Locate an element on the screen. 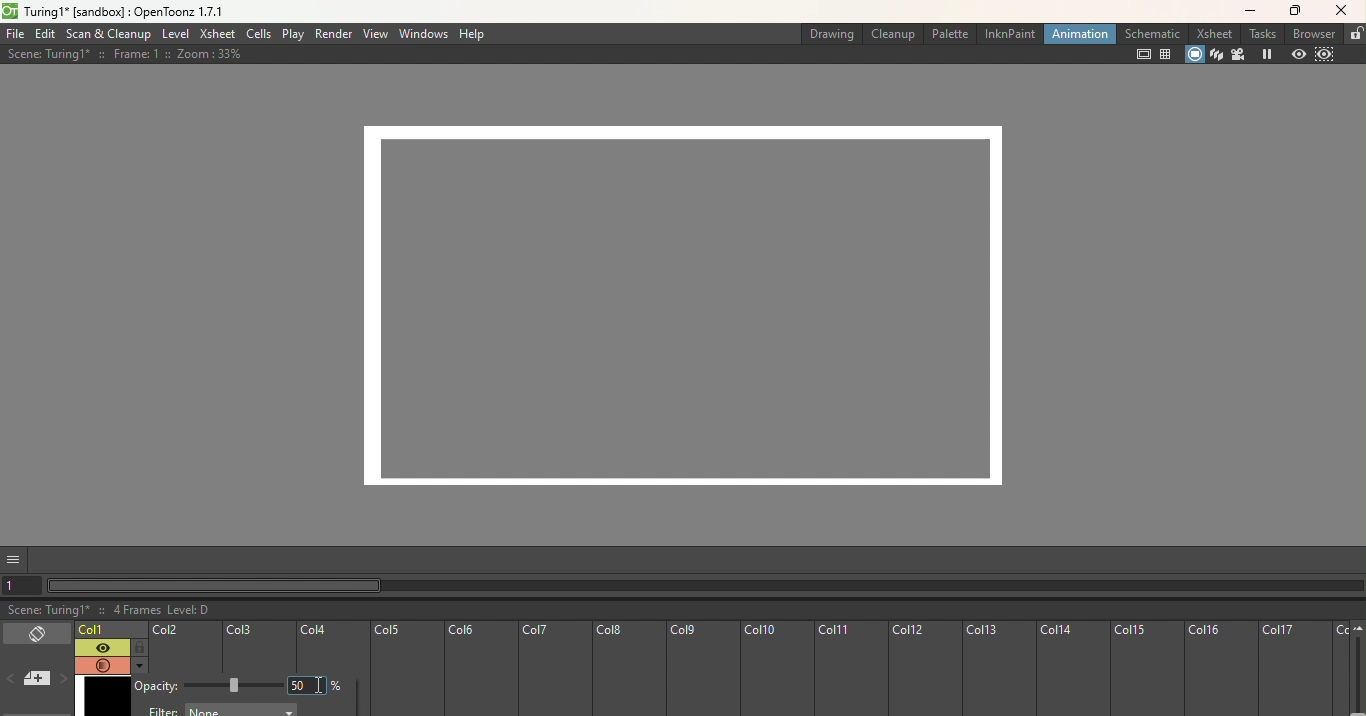  Cells is located at coordinates (256, 34).